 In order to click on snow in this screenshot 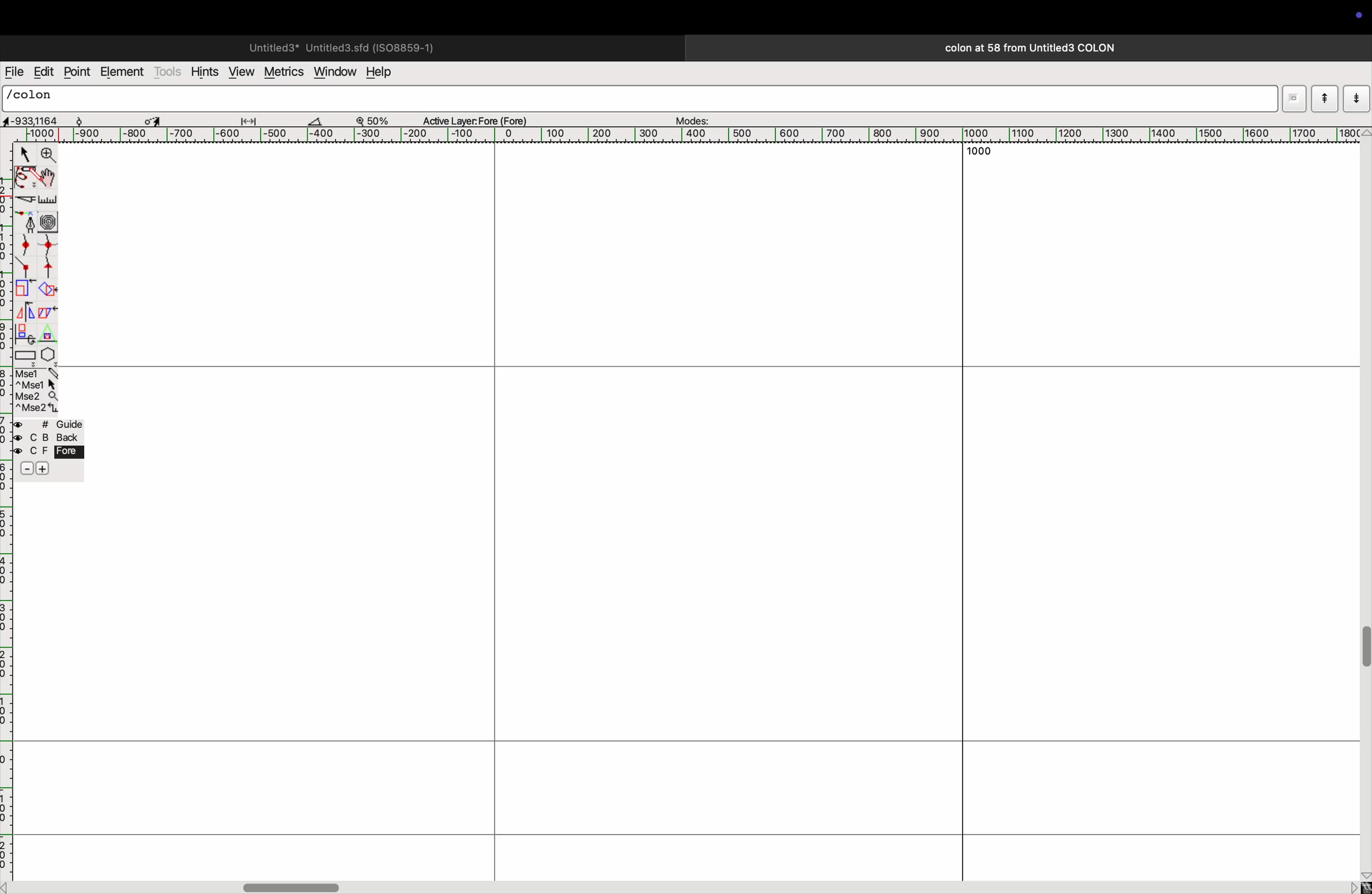, I will do `click(91, 119)`.